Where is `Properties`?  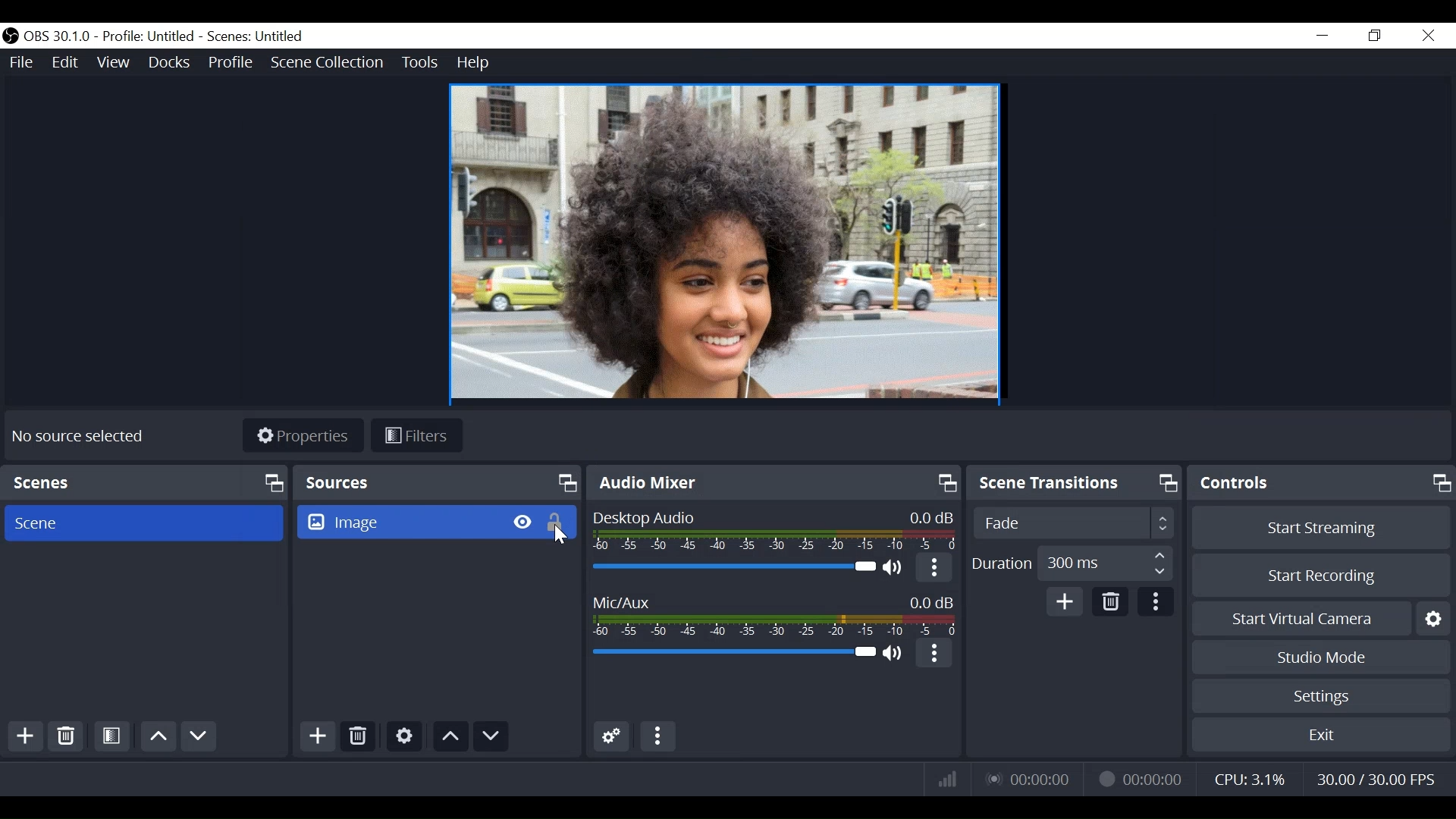
Properties is located at coordinates (302, 436).